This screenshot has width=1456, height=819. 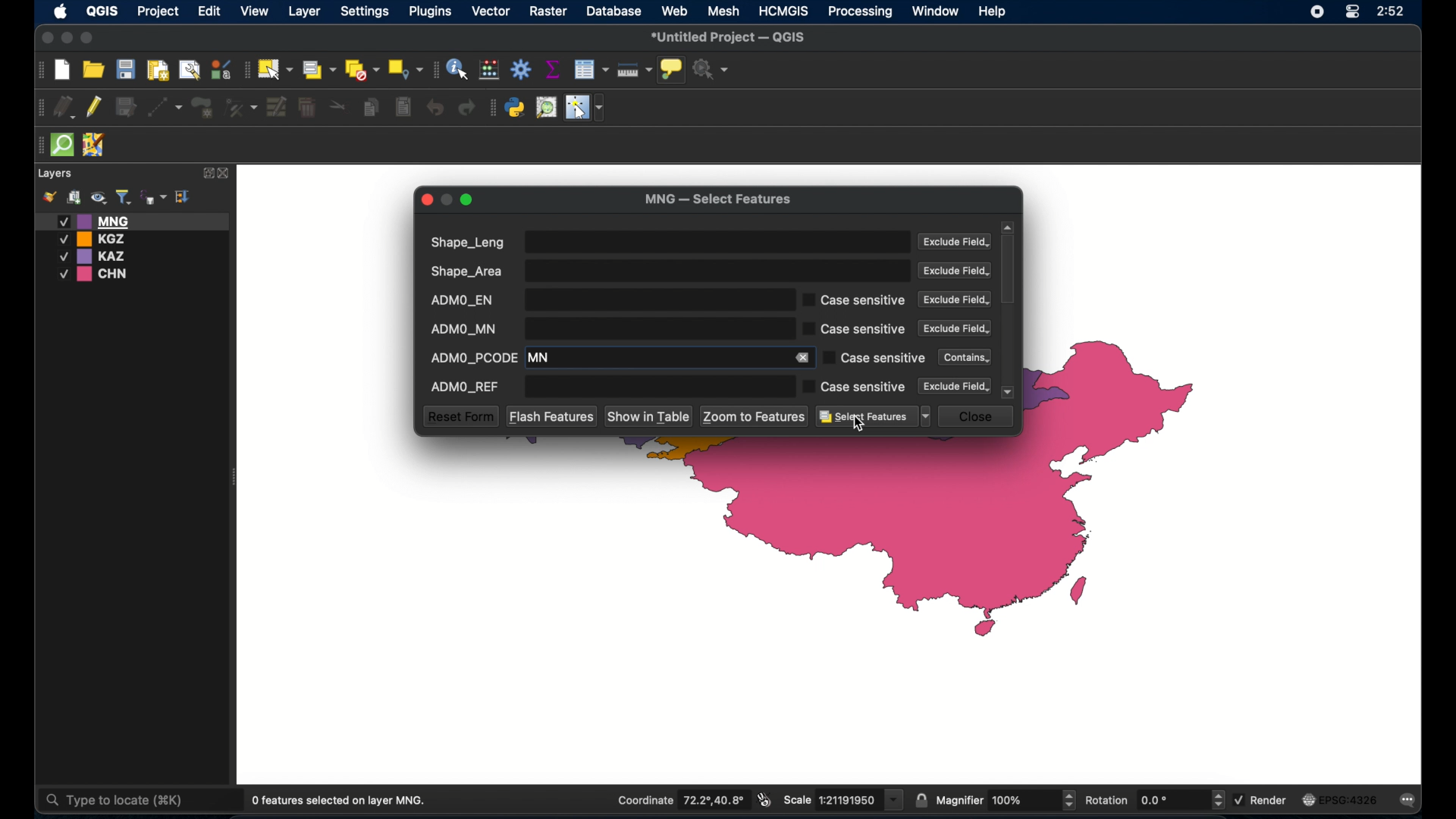 What do you see at coordinates (679, 799) in the screenshot?
I see `Coordinate  72.2°,40.8°` at bounding box center [679, 799].